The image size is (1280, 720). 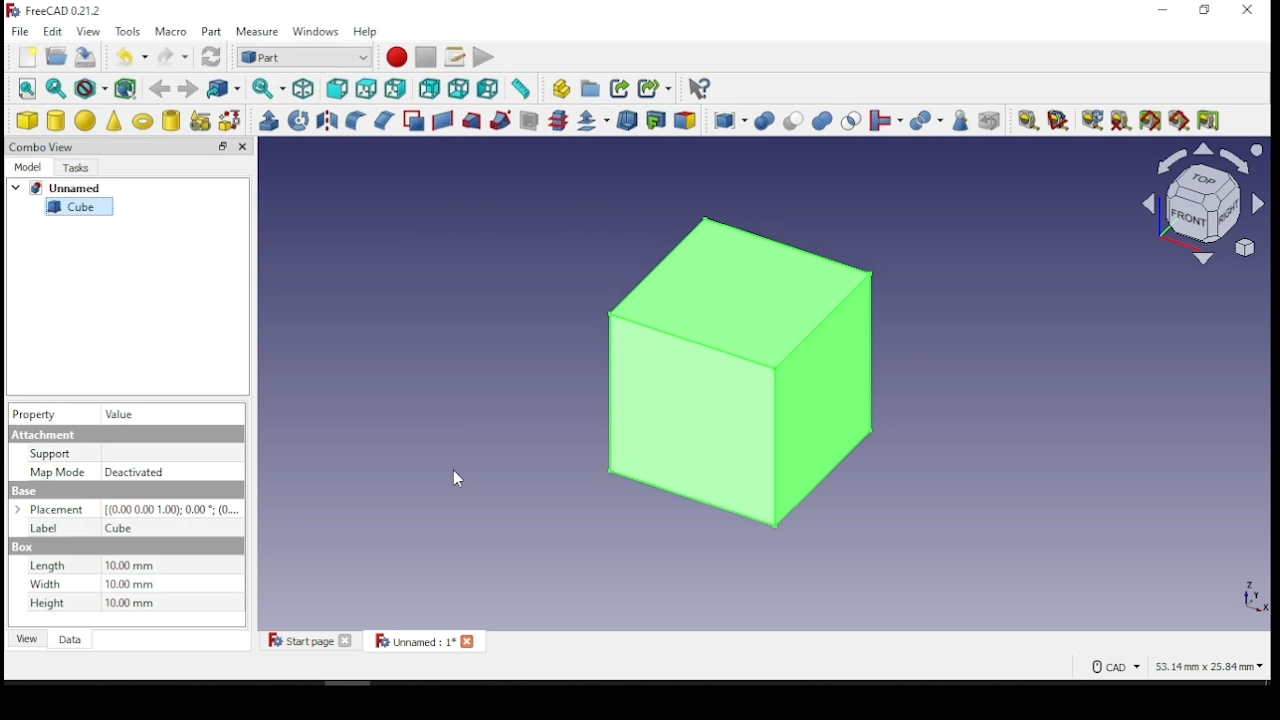 What do you see at coordinates (764, 122) in the screenshot?
I see `boolean` at bounding box center [764, 122].